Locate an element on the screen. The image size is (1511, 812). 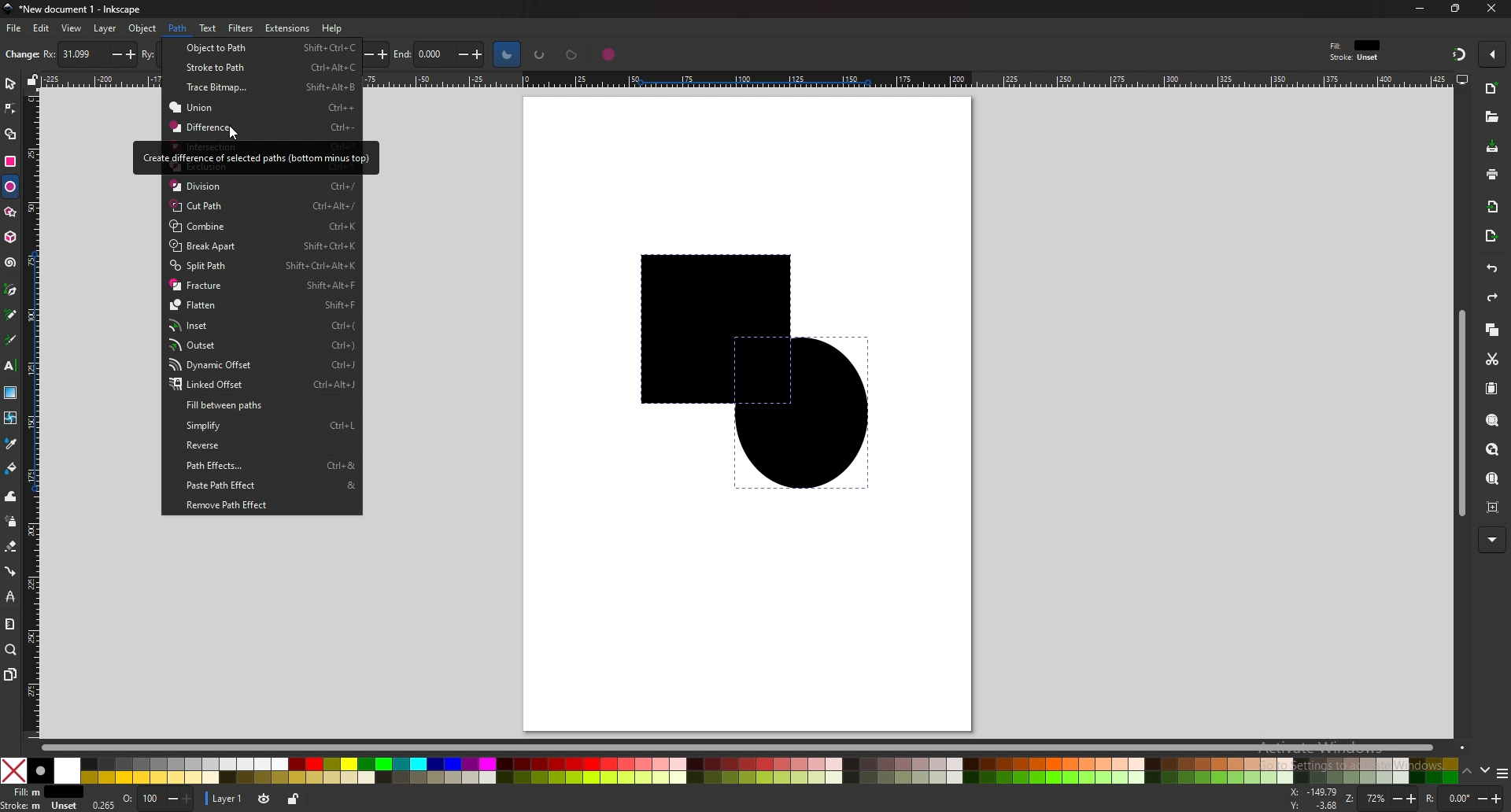
path is located at coordinates (179, 28).